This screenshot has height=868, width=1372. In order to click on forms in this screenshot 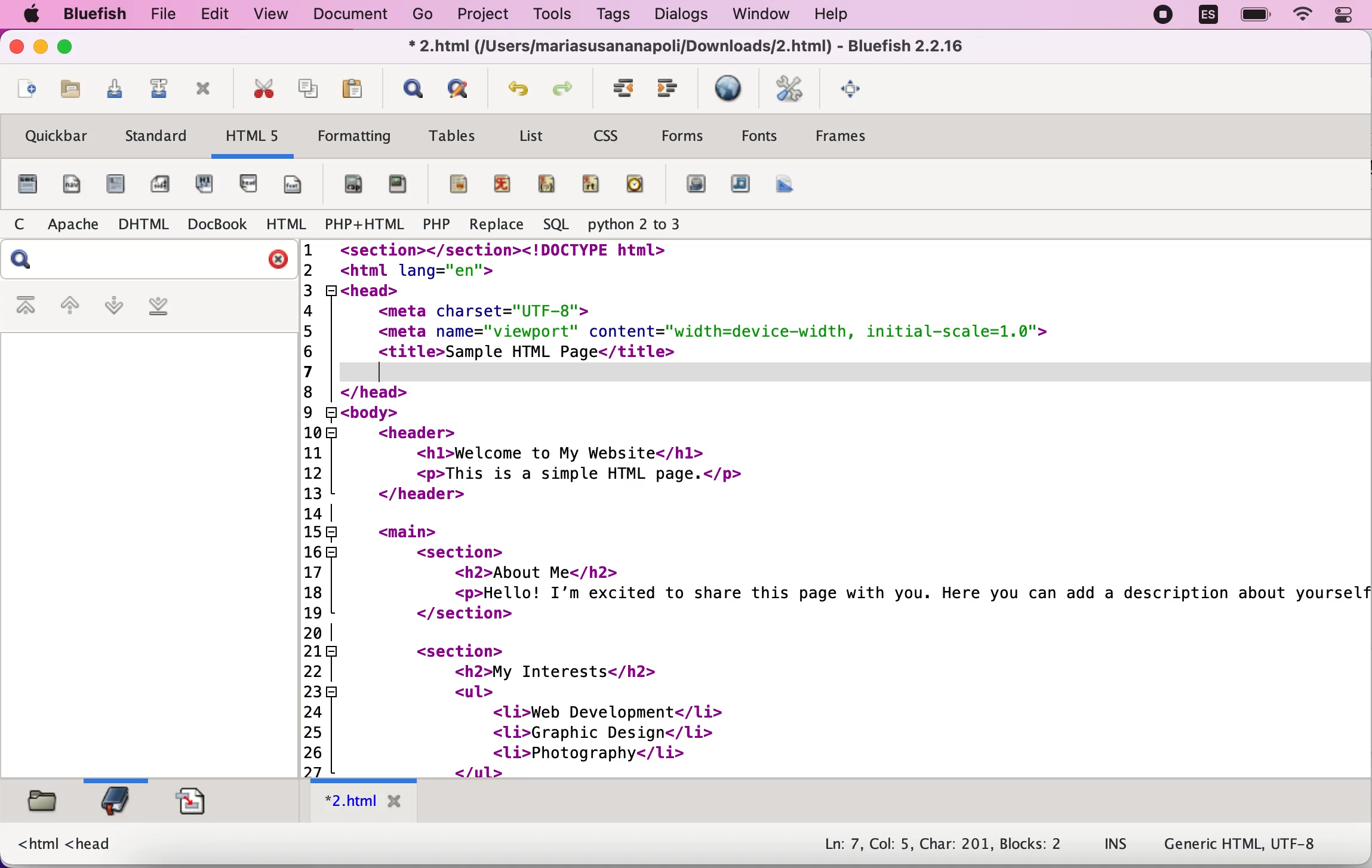, I will do `click(687, 136)`.